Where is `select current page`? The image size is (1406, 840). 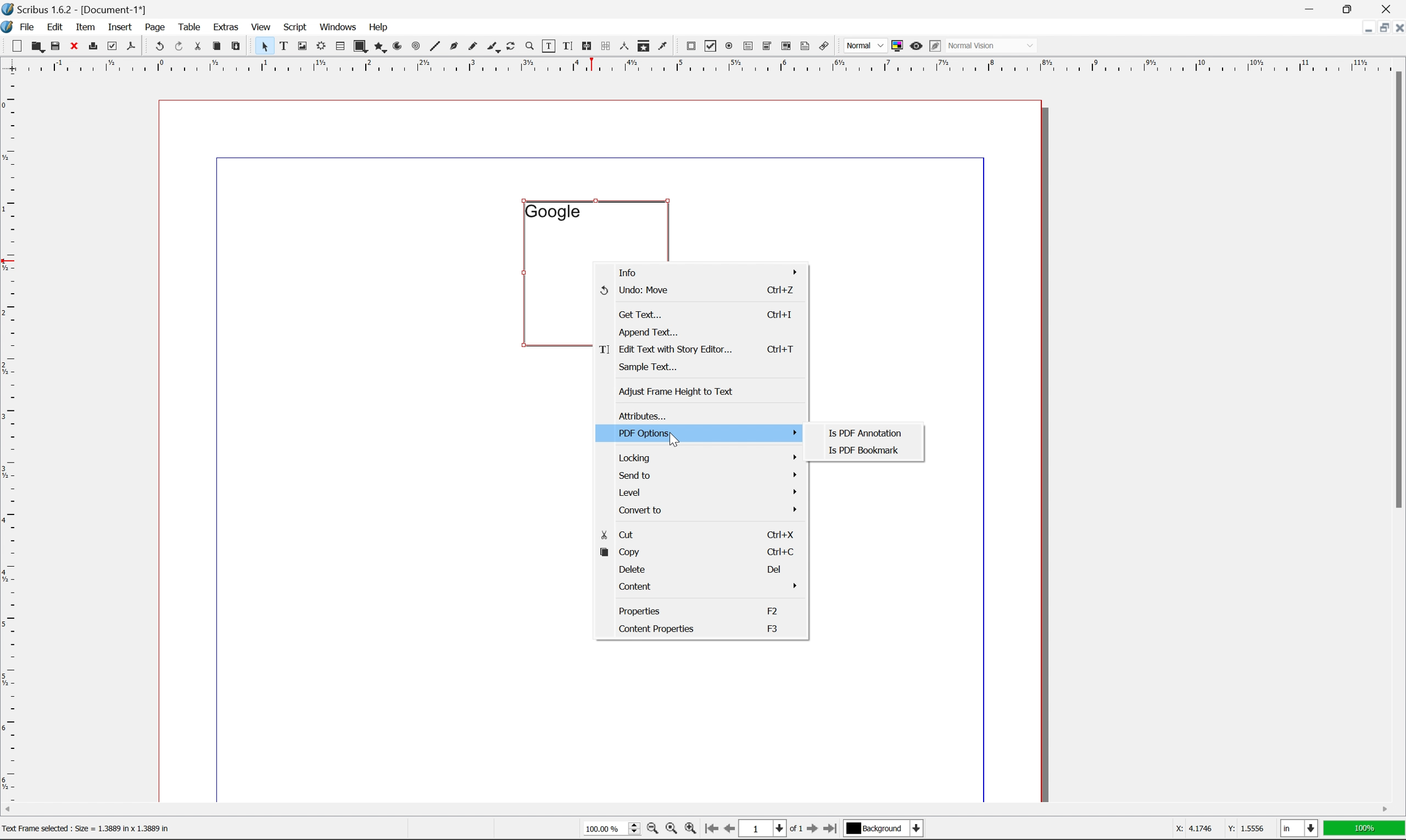
select current page is located at coordinates (770, 830).